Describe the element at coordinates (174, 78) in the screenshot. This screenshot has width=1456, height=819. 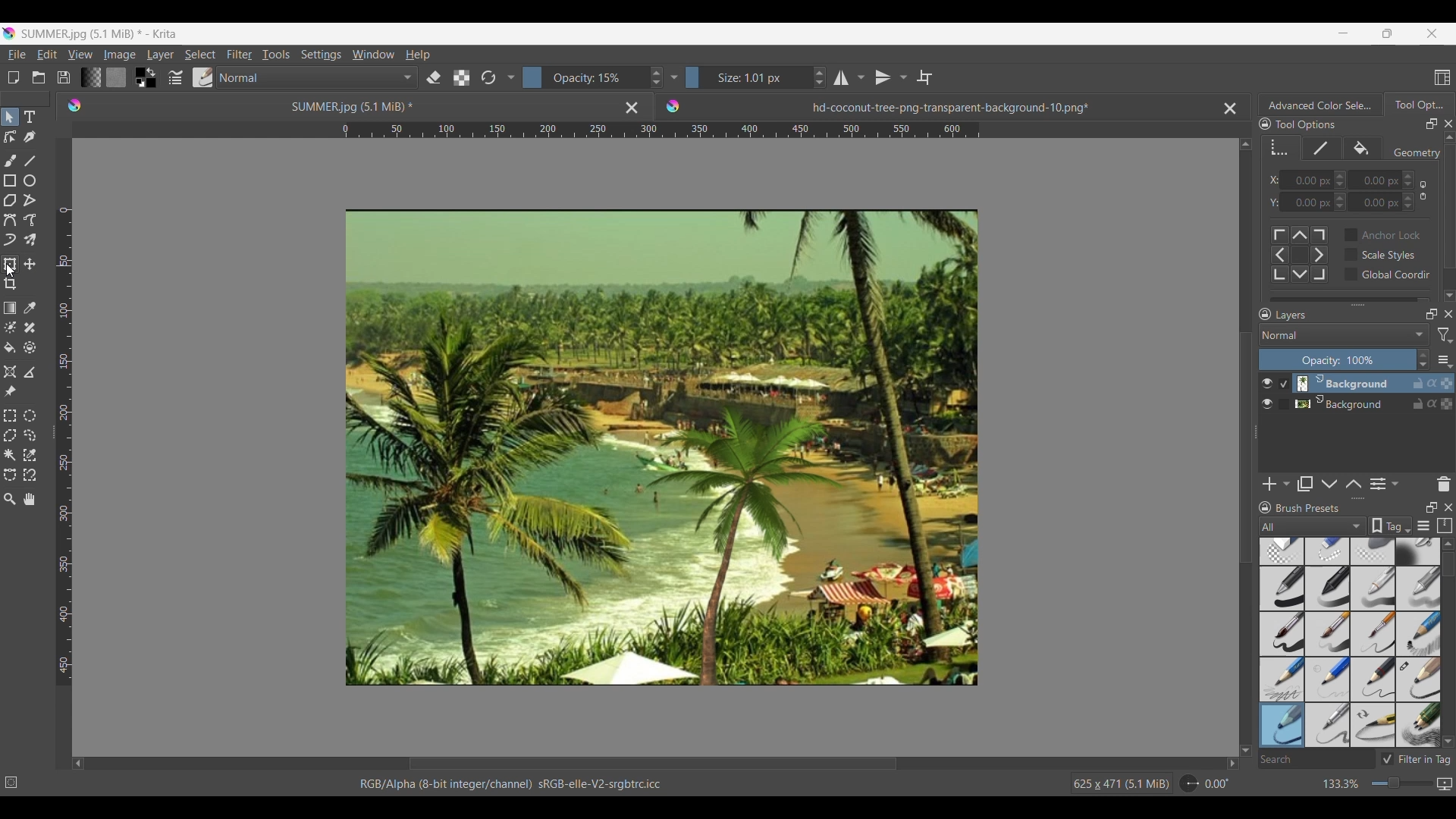
I see `Edit brush settings` at that location.